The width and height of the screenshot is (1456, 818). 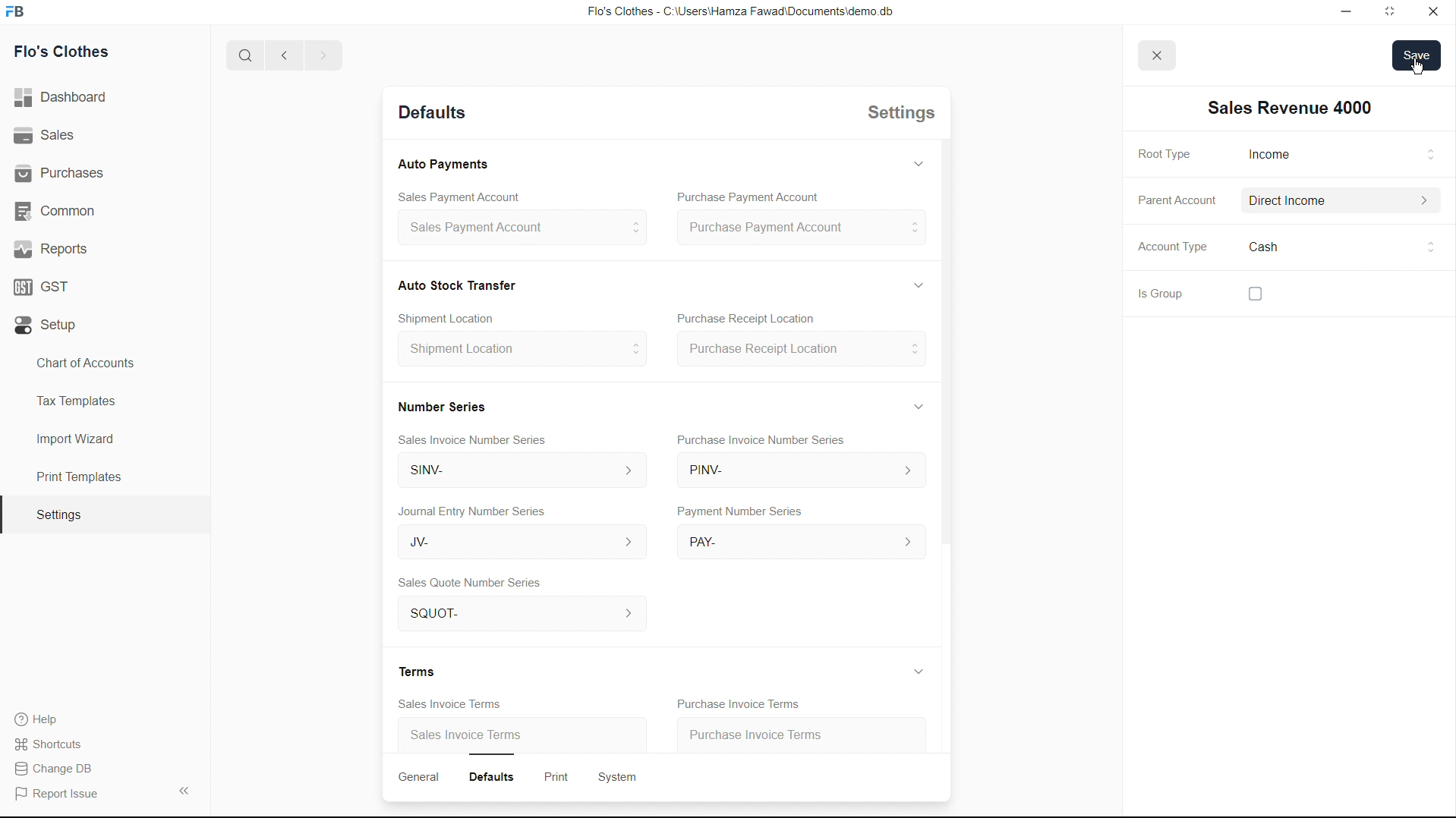 I want to click on Flo's Clothes - C:\Users\Hamza Fawad\Documents\demo db, so click(x=739, y=12).